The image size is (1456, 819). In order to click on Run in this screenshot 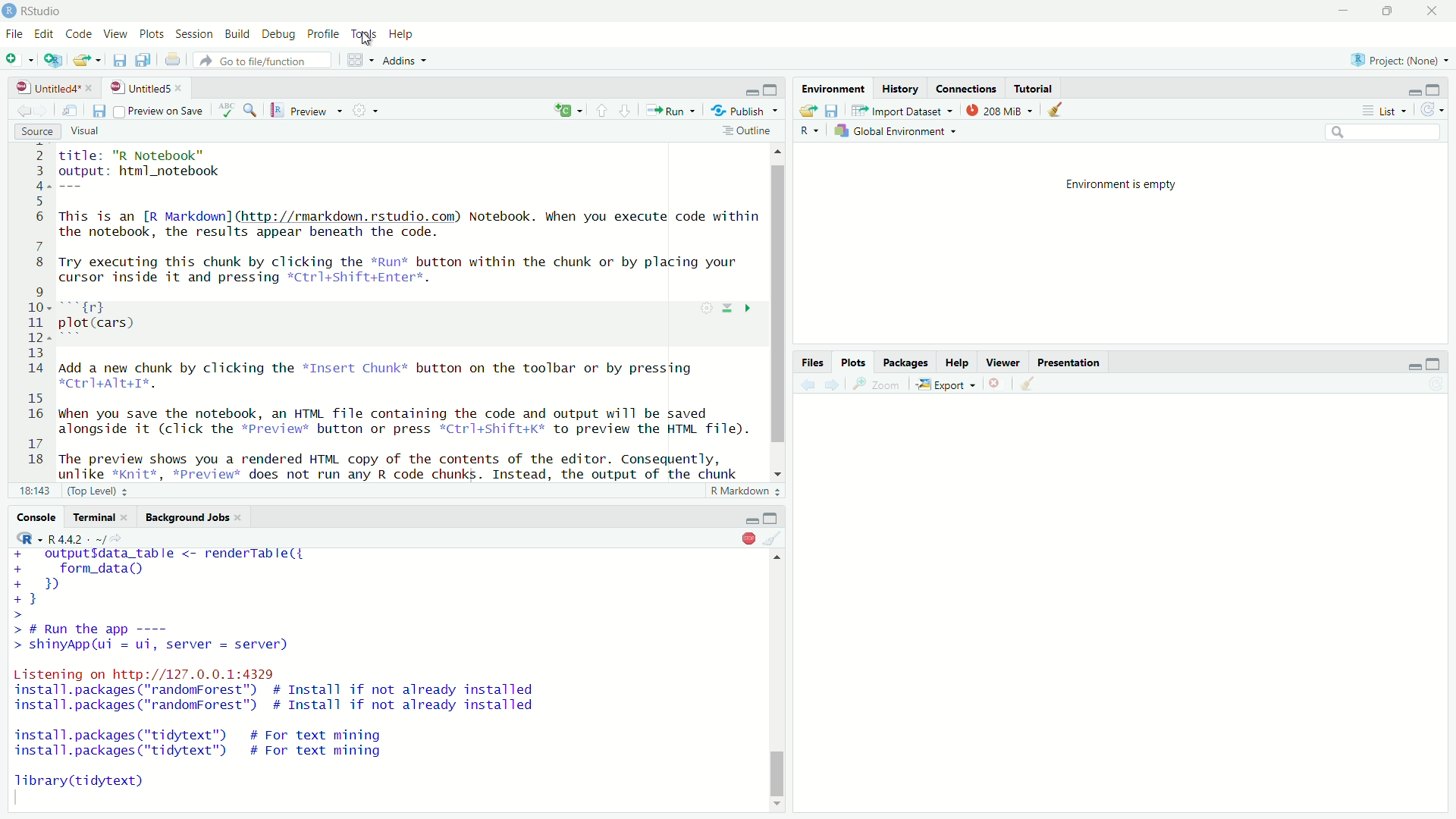, I will do `click(670, 110)`.